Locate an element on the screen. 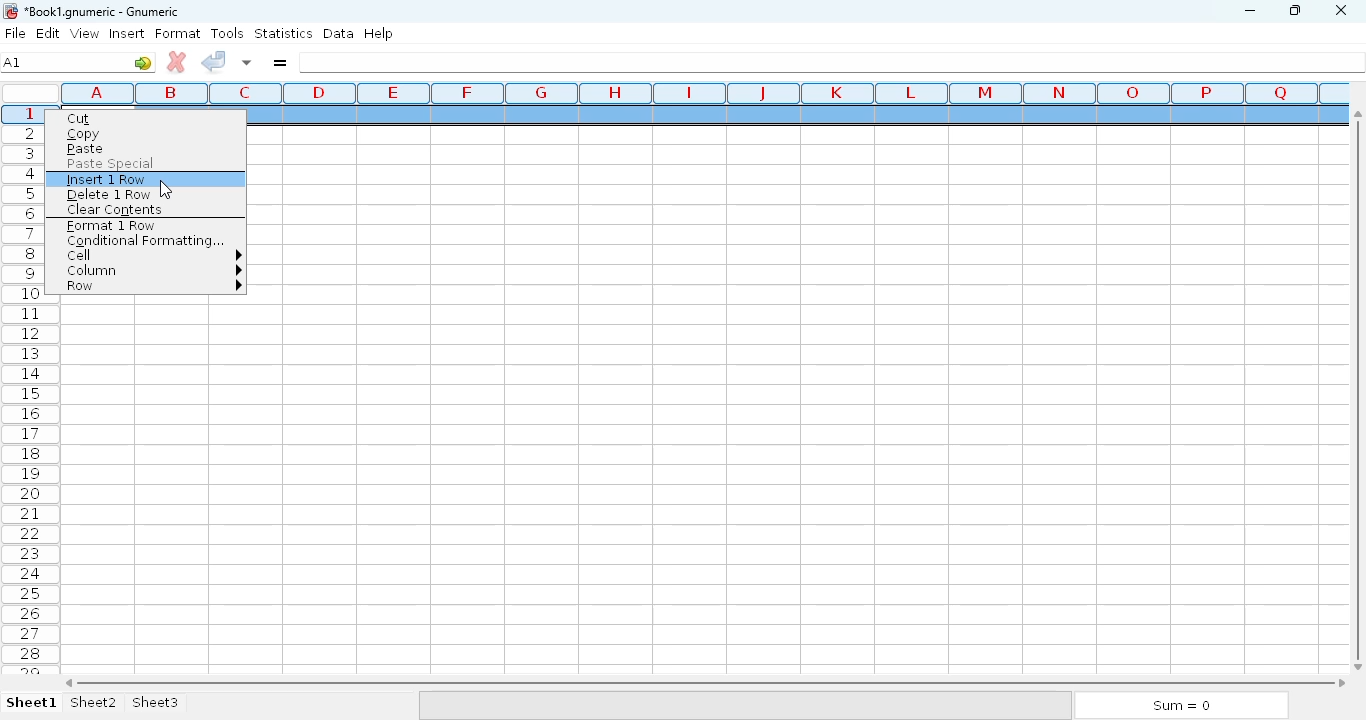  column is located at coordinates (699, 93).